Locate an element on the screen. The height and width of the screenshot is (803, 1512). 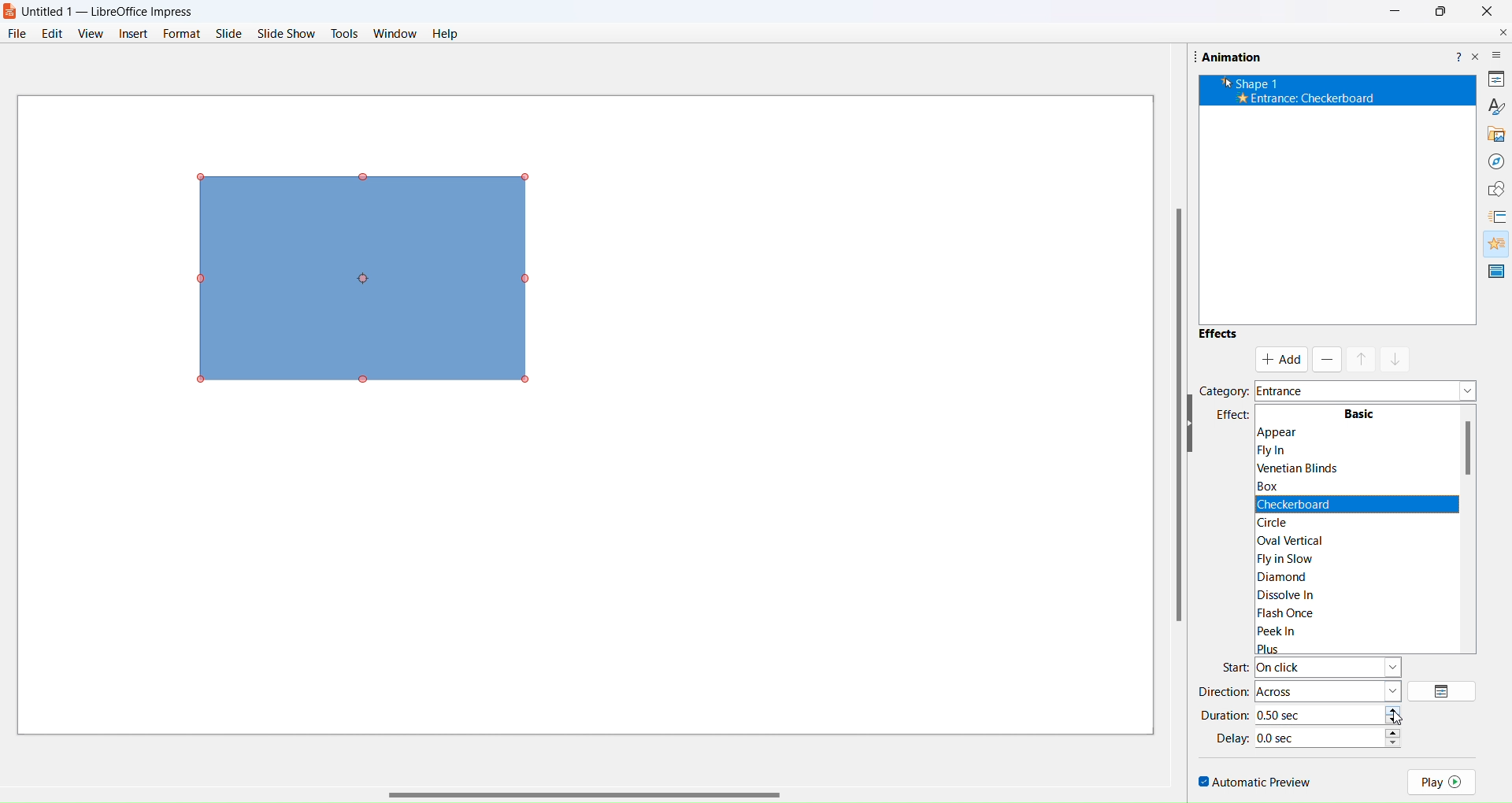
Box is located at coordinates (1275, 485).